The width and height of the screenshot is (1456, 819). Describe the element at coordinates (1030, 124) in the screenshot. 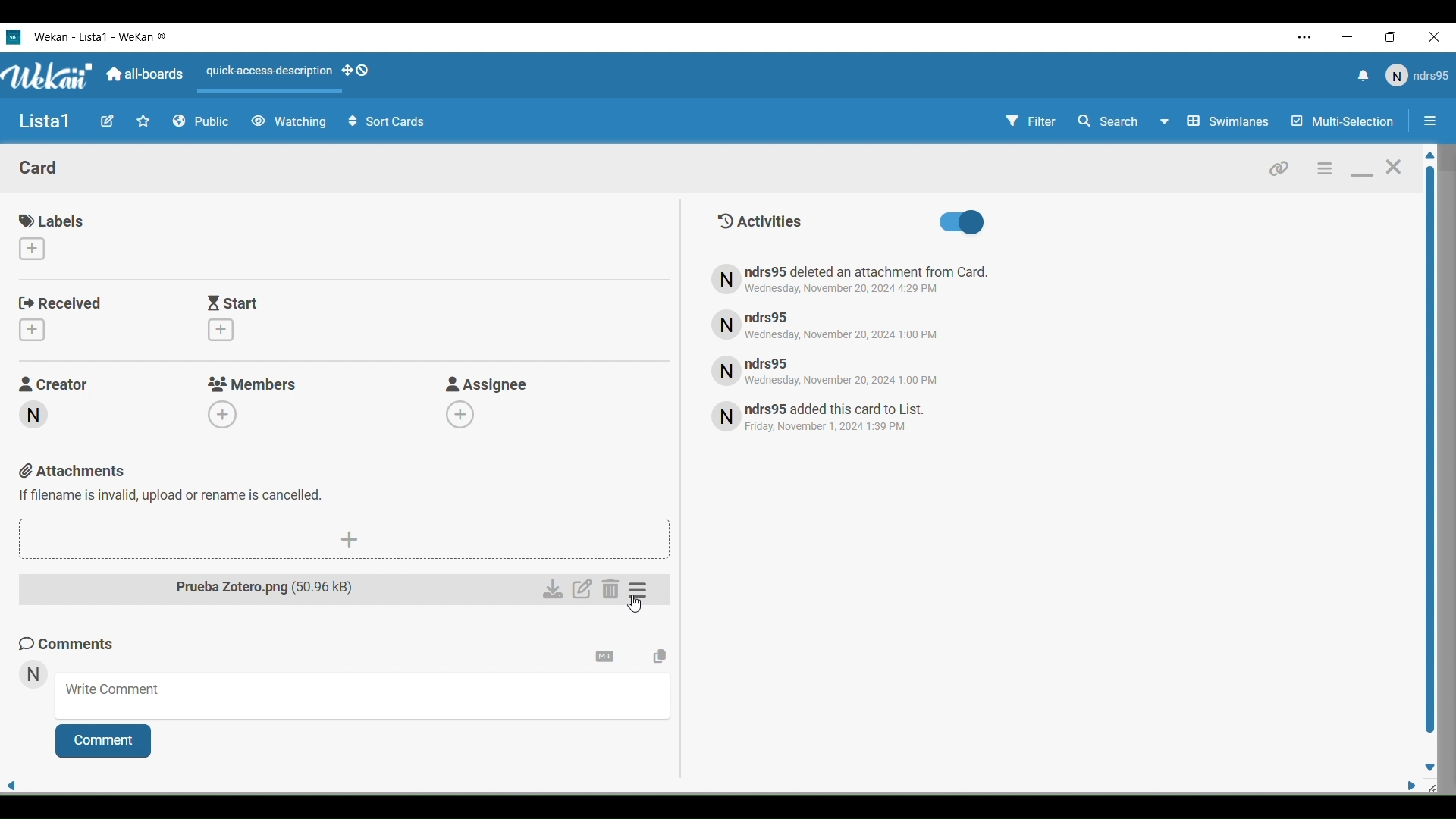

I see `Filter` at that location.